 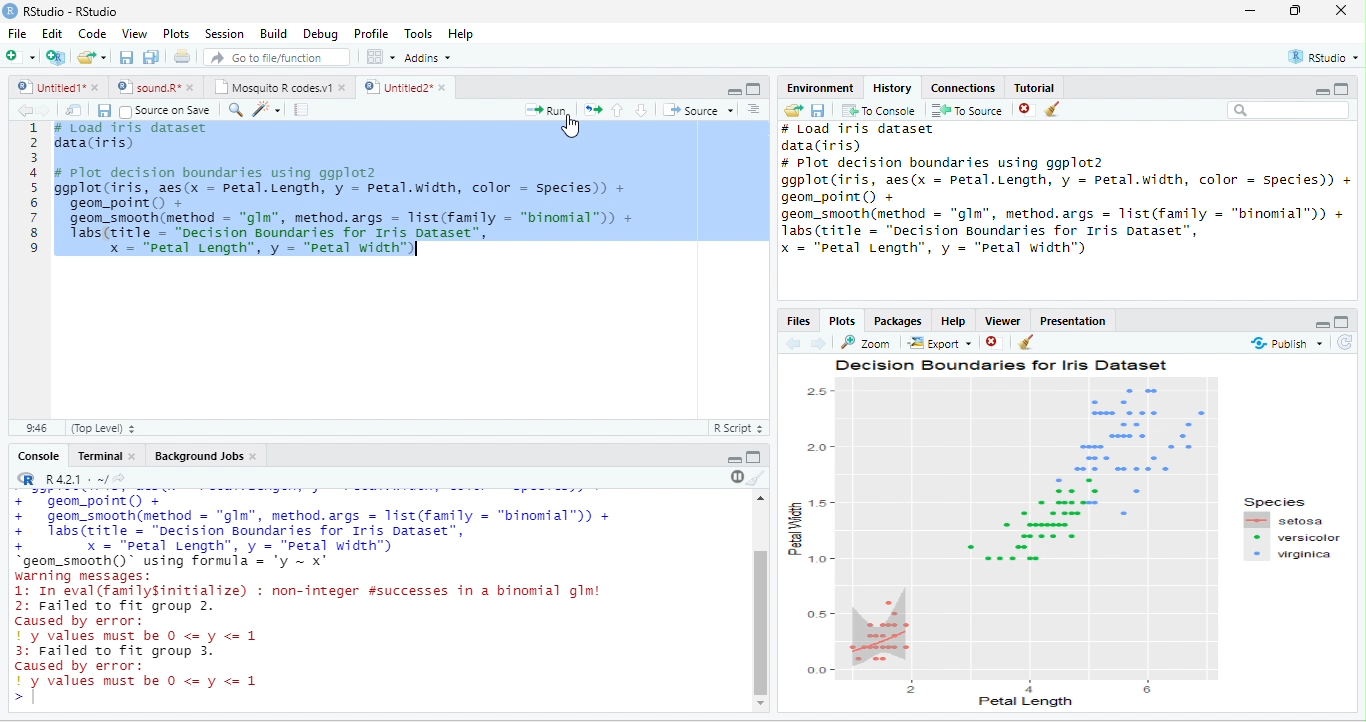 What do you see at coordinates (301, 109) in the screenshot?
I see `compile report` at bounding box center [301, 109].